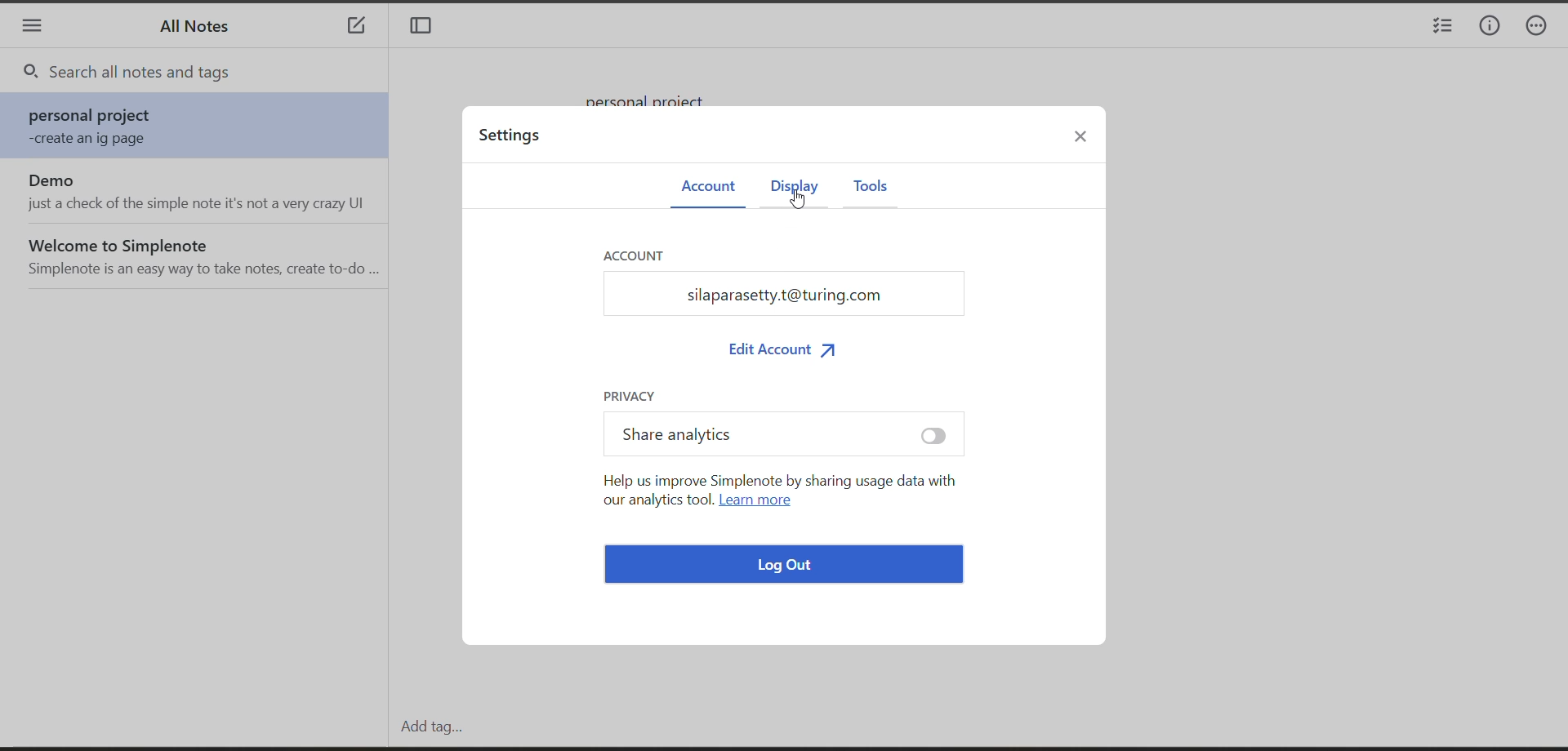  I want to click on settings, so click(514, 139).